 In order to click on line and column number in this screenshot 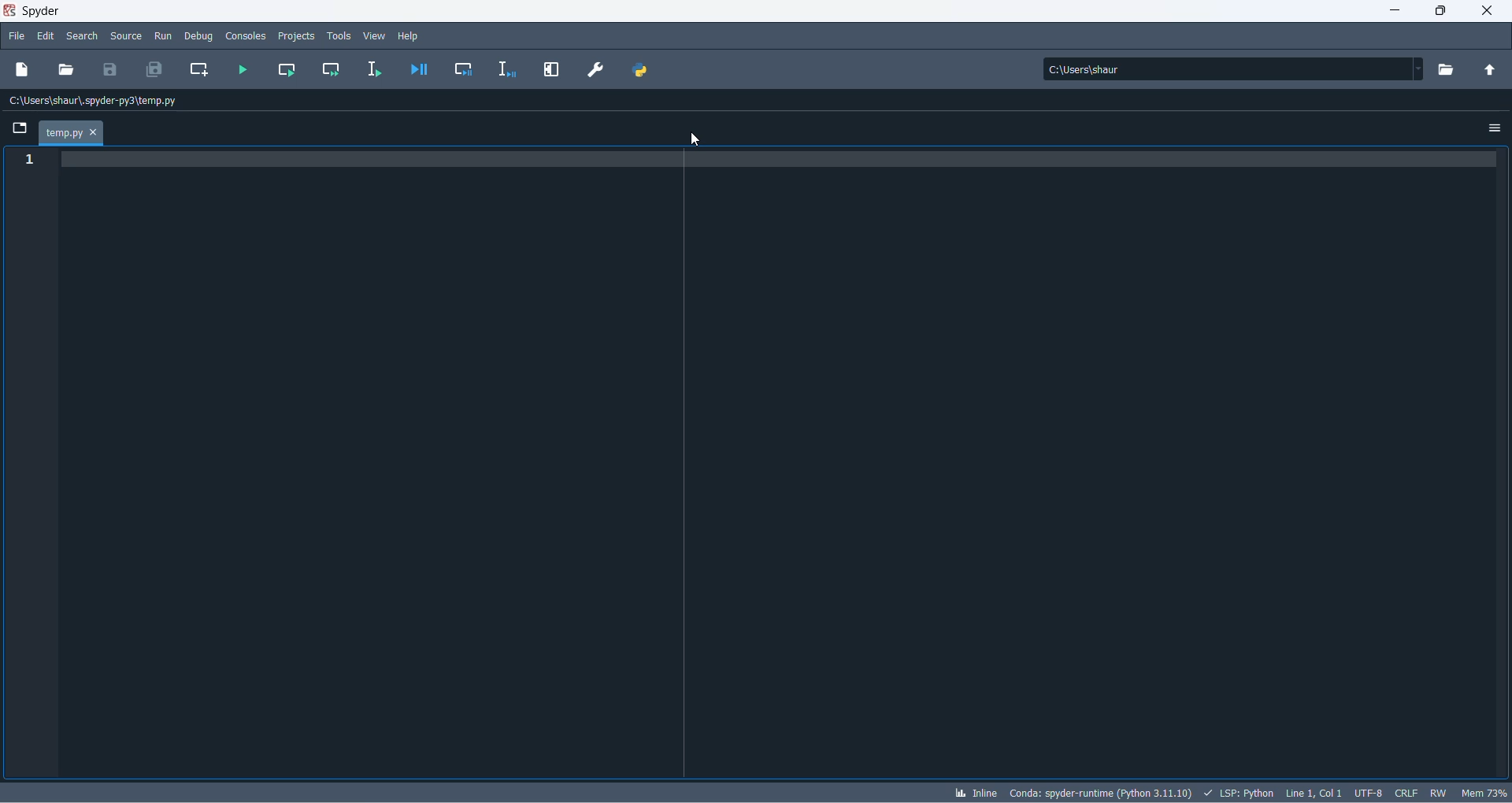, I will do `click(1314, 790)`.